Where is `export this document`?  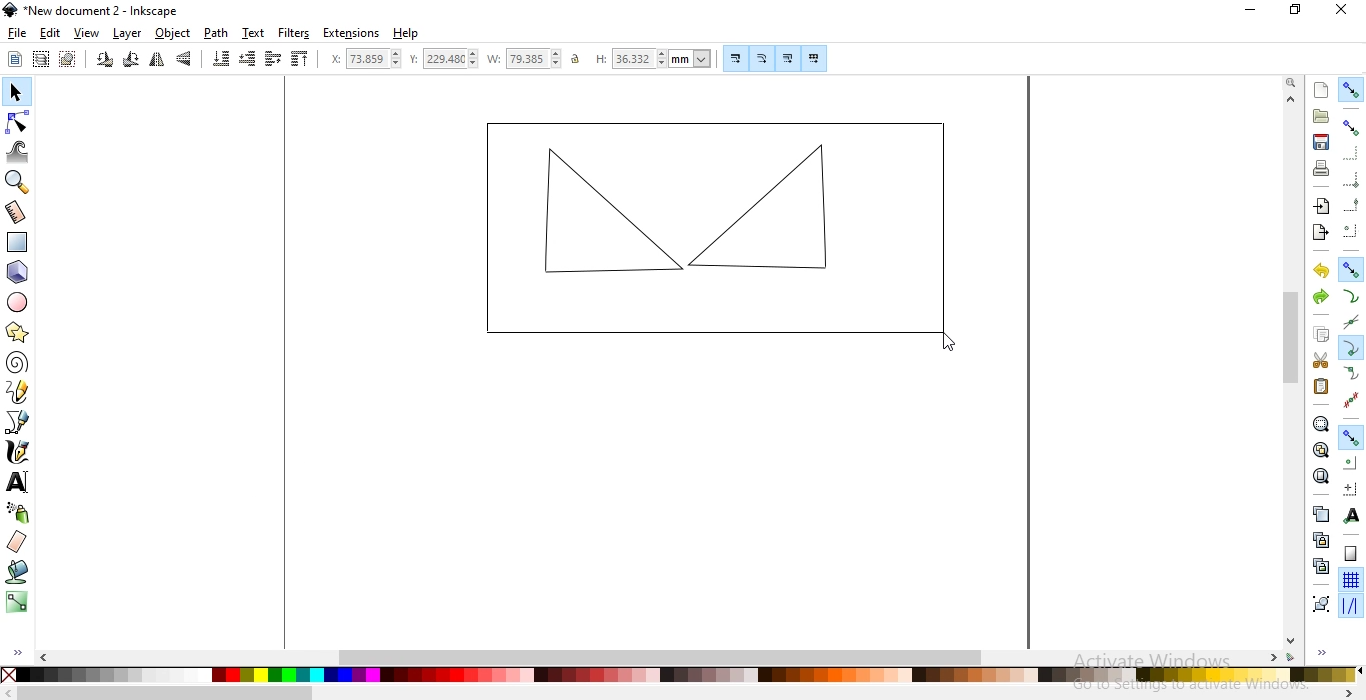 export this document is located at coordinates (1320, 231).